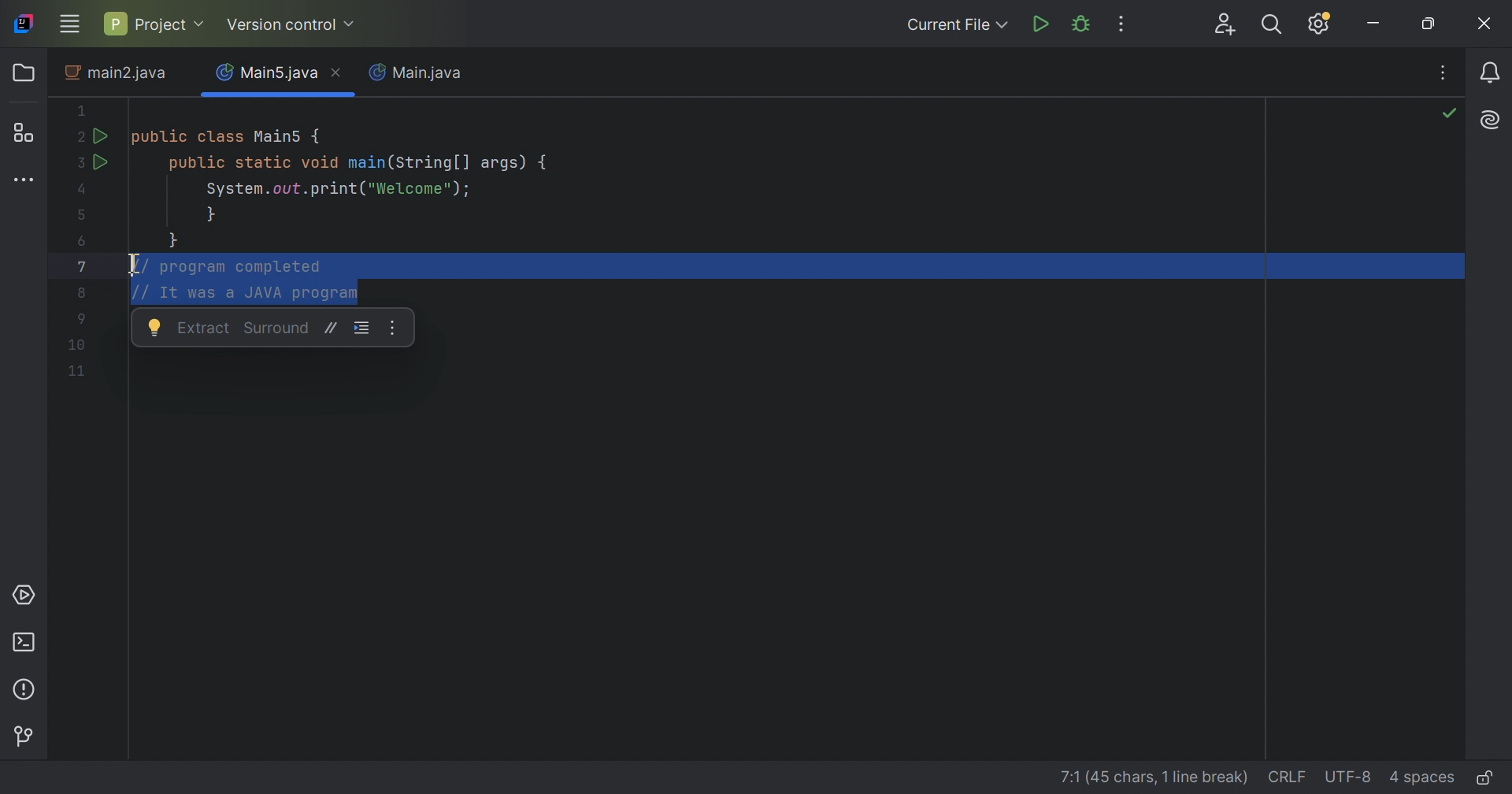 The image size is (1512, 794). I want to click on Main menu, so click(70, 24).